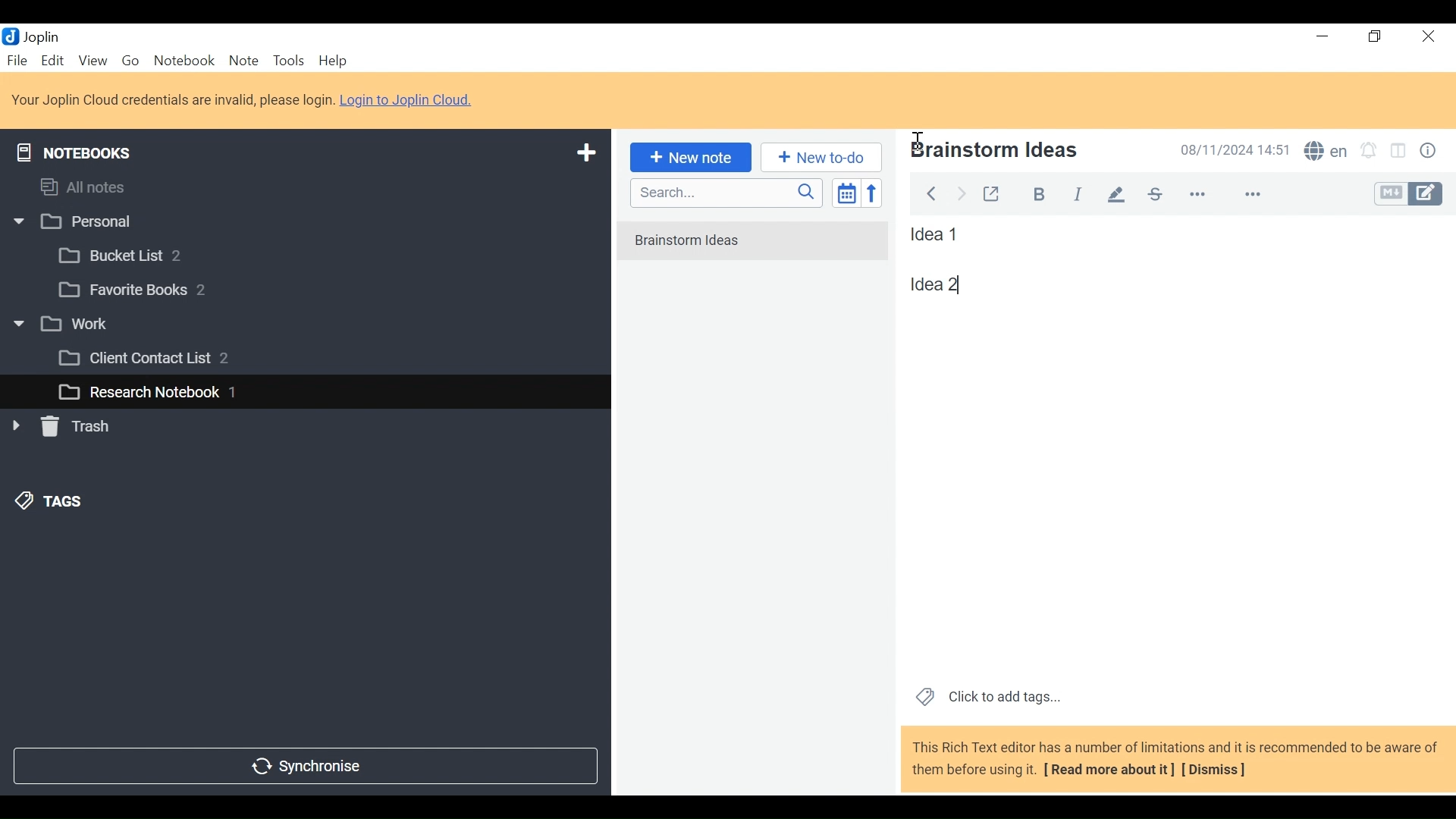  I want to click on [3 Favorite Books 2, so click(145, 290).